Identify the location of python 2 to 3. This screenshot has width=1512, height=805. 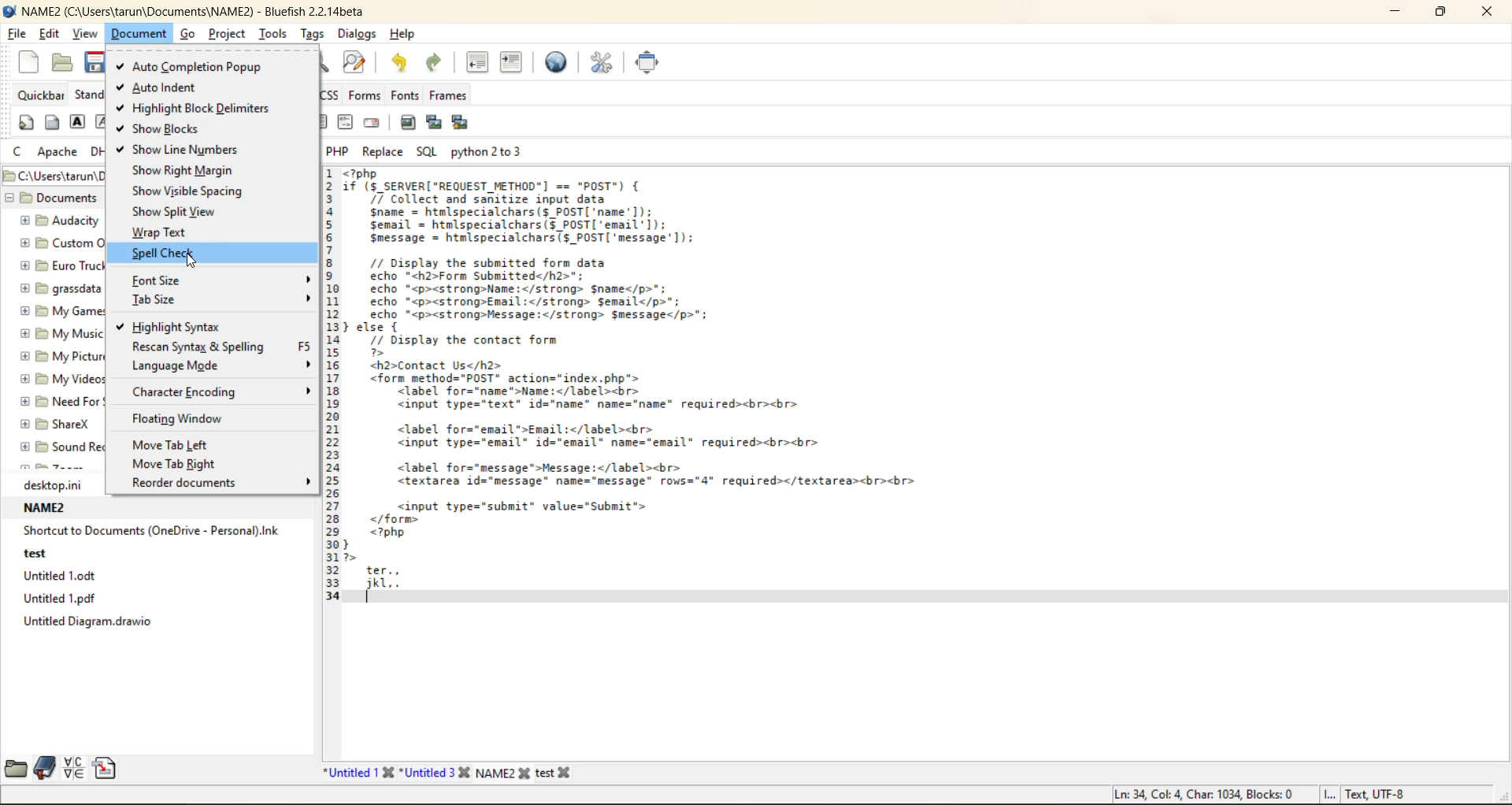
(490, 152).